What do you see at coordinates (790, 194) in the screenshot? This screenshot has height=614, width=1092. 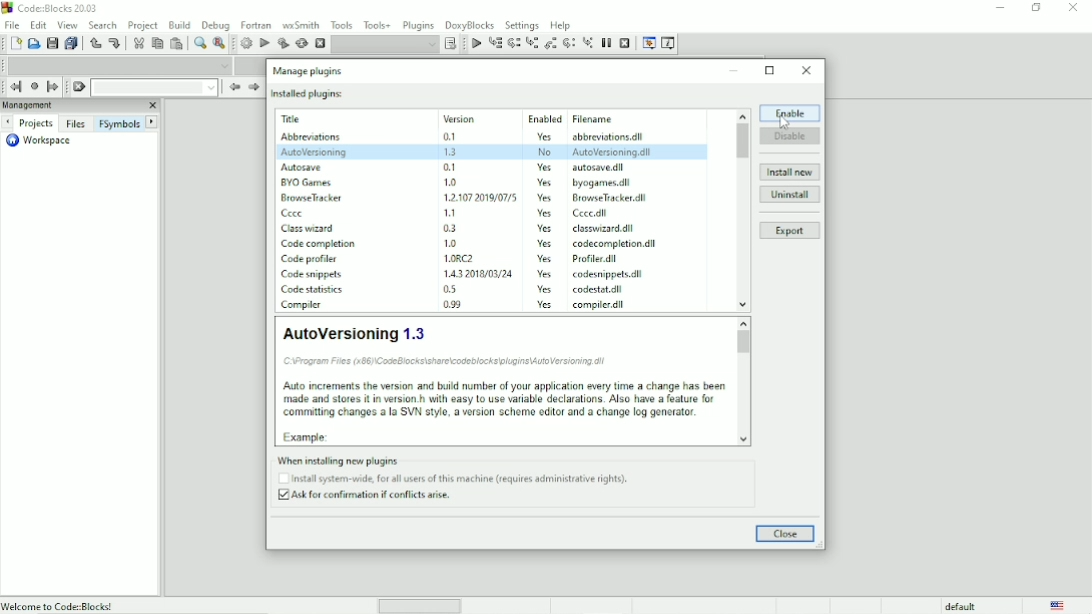 I see `uninstall` at bounding box center [790, 194].